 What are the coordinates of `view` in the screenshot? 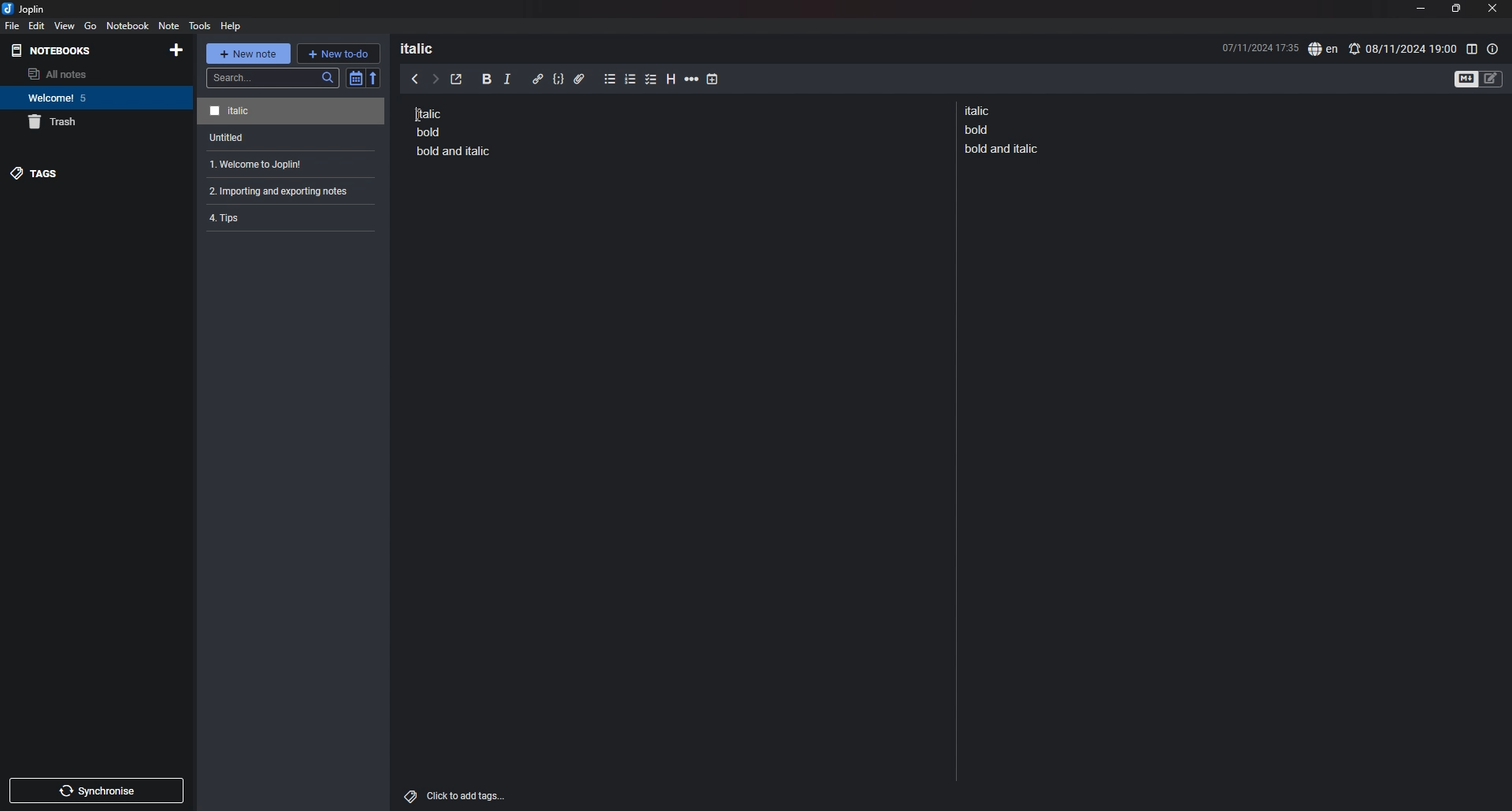 It's located at (65, 25).